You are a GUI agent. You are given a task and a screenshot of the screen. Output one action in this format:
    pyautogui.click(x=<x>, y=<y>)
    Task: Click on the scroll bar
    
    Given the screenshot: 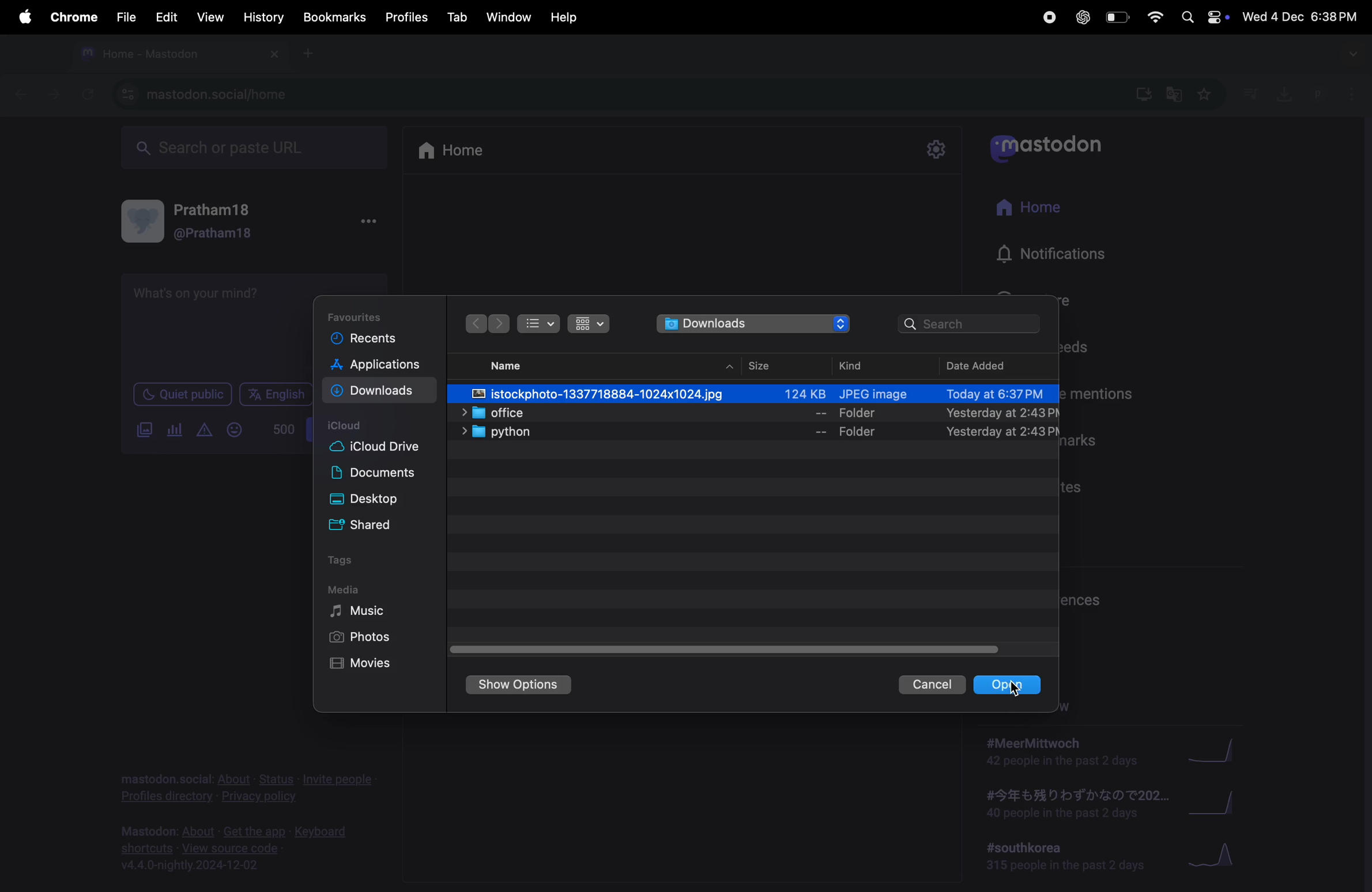 What is the action you would take?
    pyautogui.click(x=720, y=647)
    